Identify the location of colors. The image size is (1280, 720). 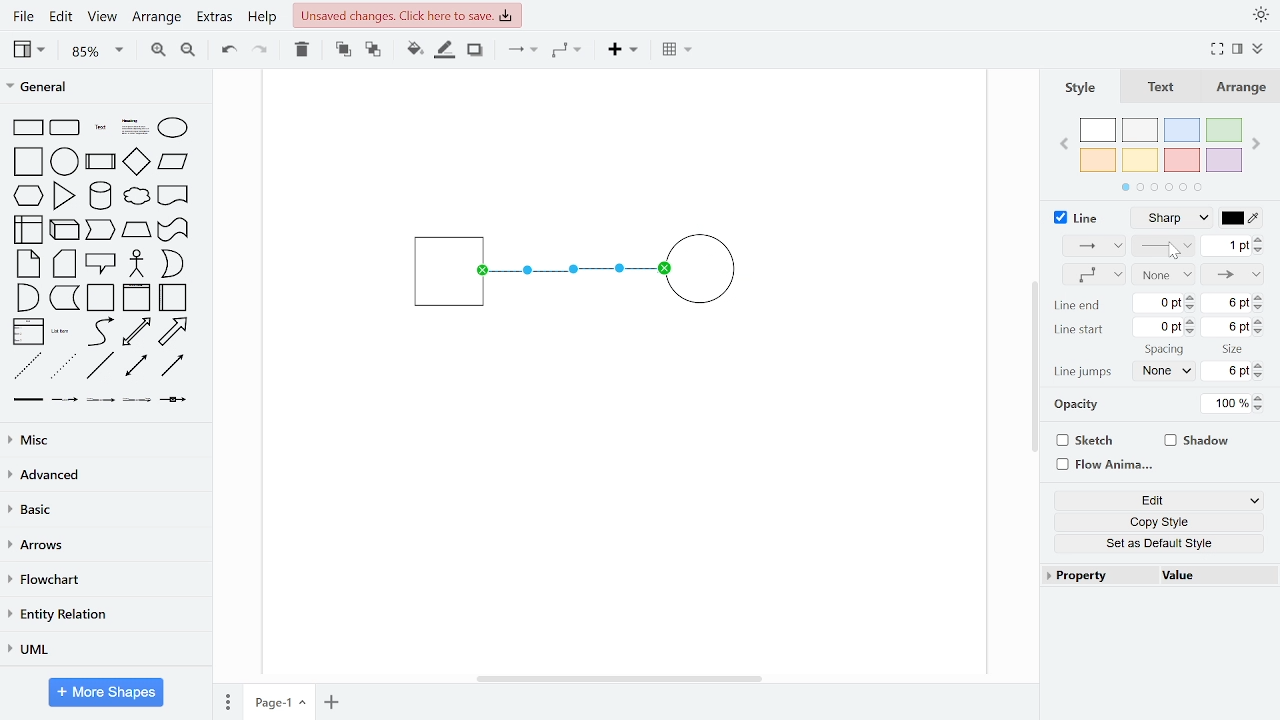
(1162, 151).